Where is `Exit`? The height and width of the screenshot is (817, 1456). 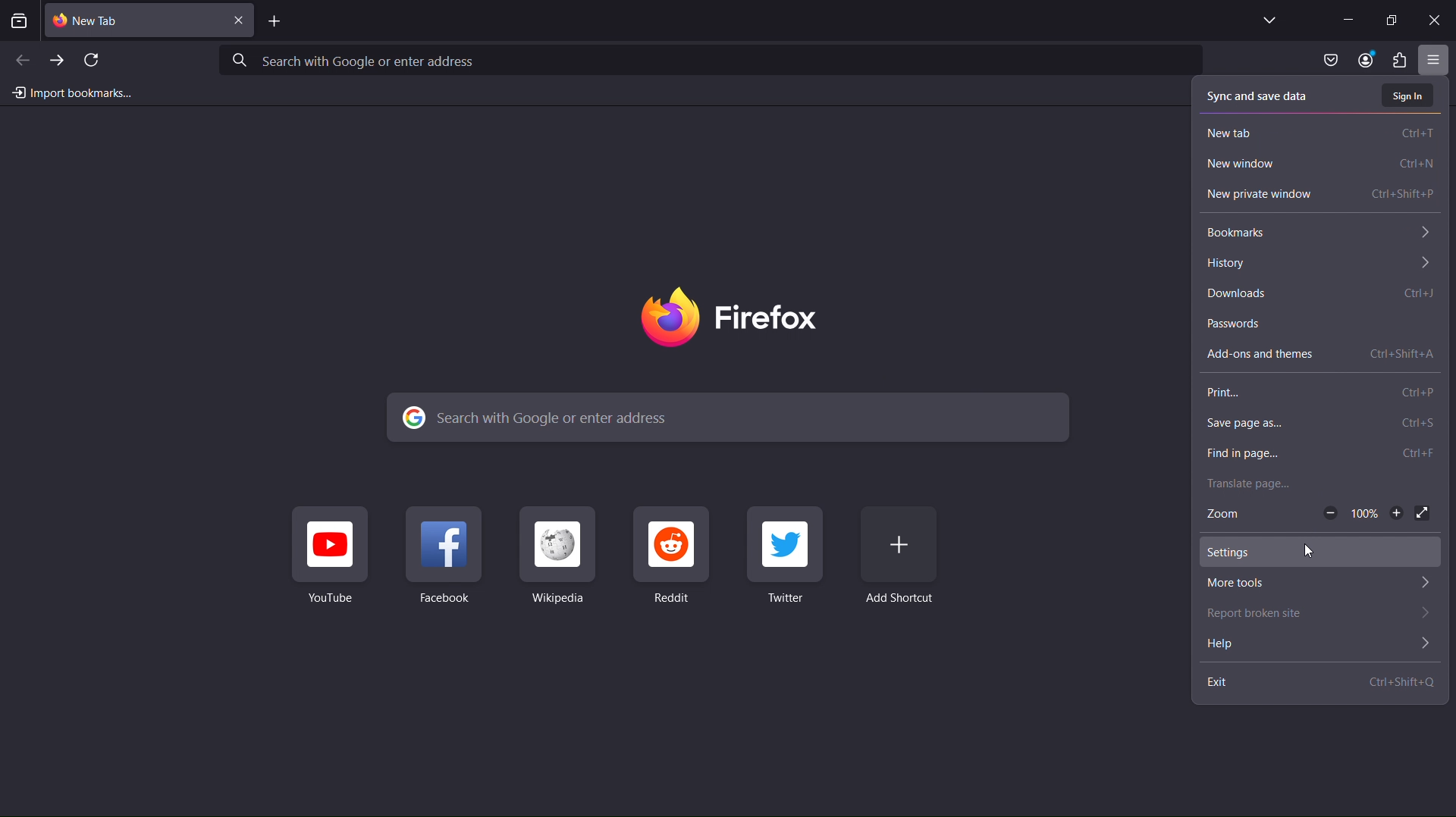 Exit is located at coordinates (1320, 686).